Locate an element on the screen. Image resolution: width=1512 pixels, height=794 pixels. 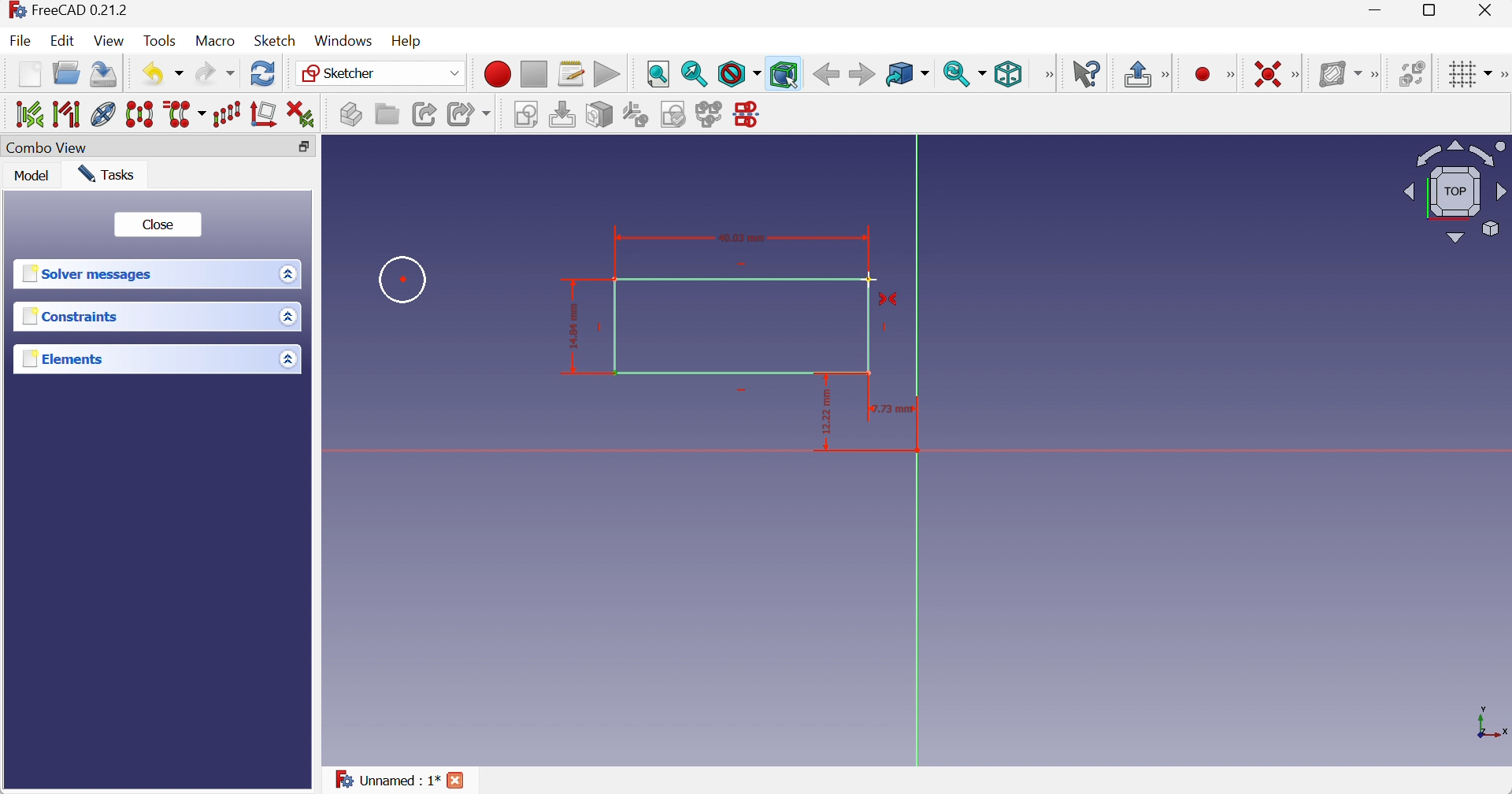
Delete all constraints is located at coordinates (302, 114).